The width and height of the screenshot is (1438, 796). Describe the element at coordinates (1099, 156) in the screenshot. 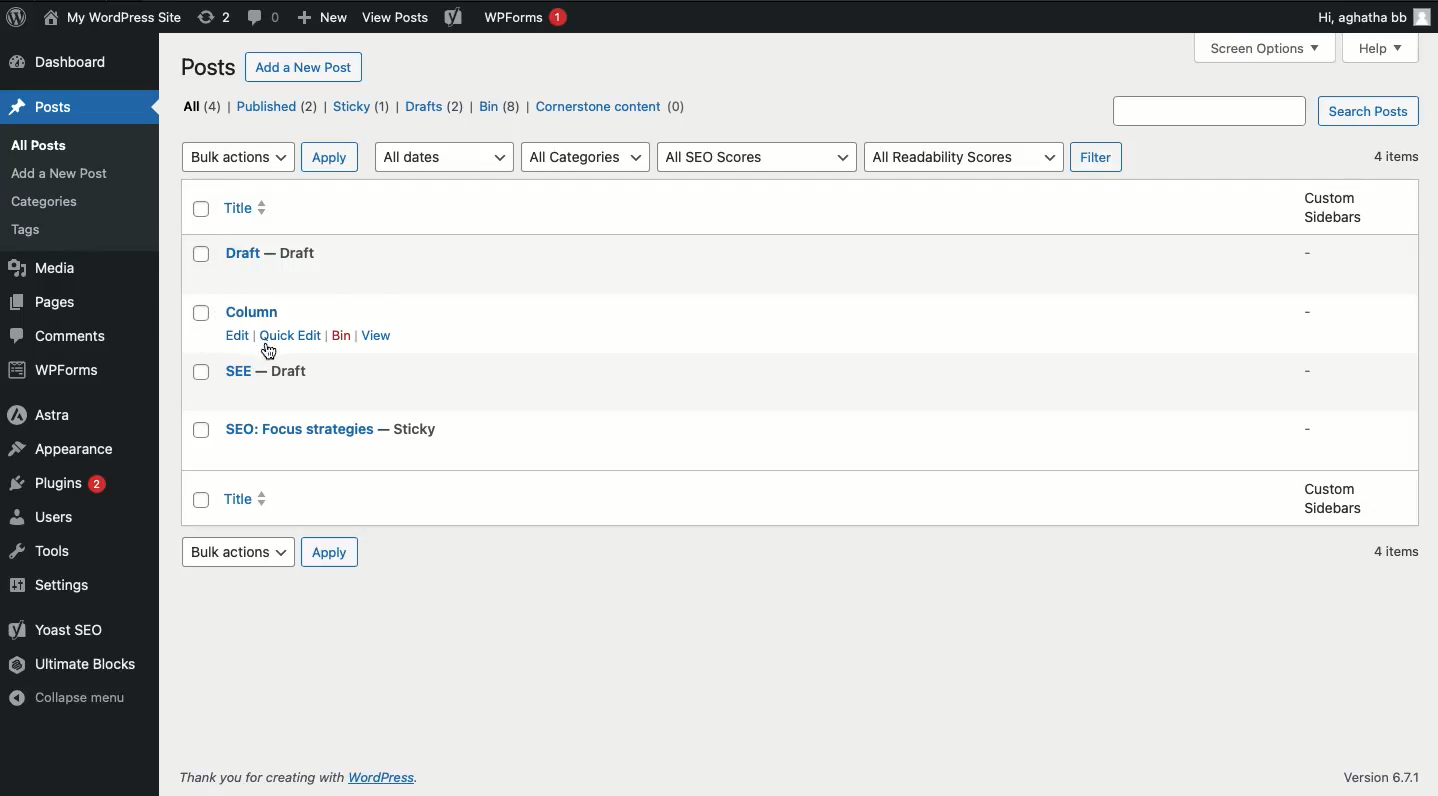

I see `Filter` at that location.